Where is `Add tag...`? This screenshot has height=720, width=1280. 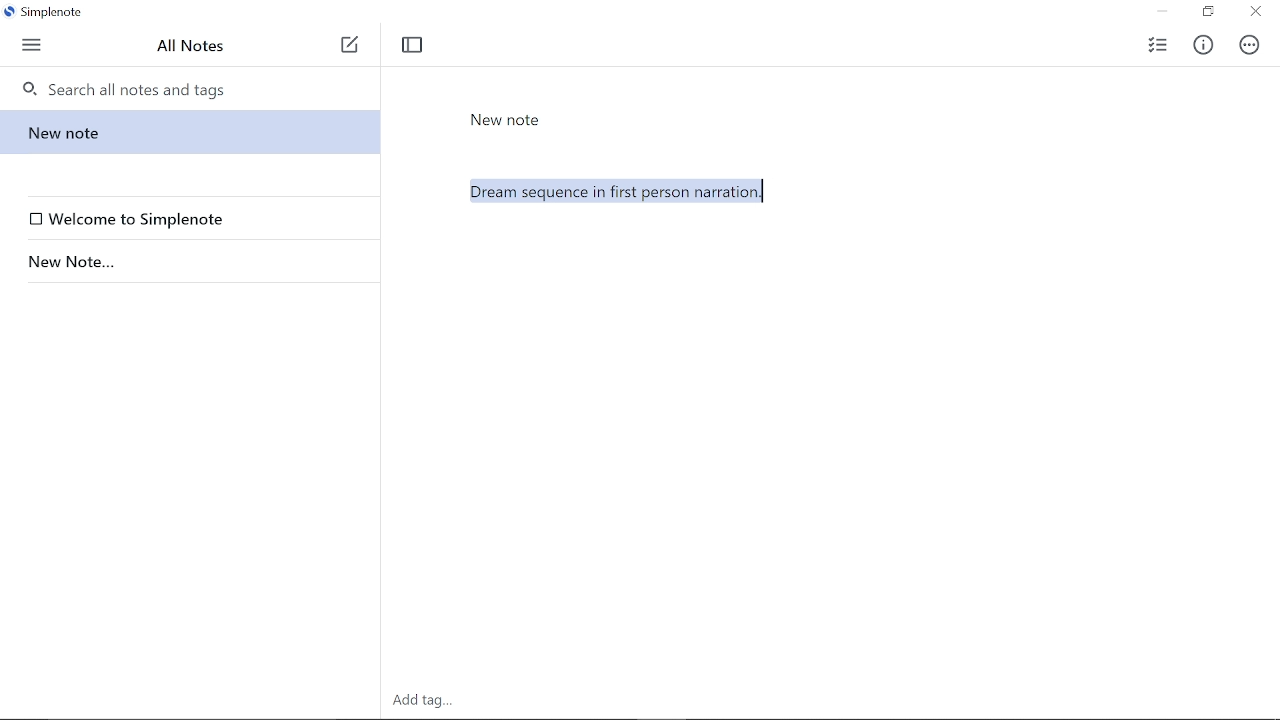
Add tag... is located at coordinates (423, 699).